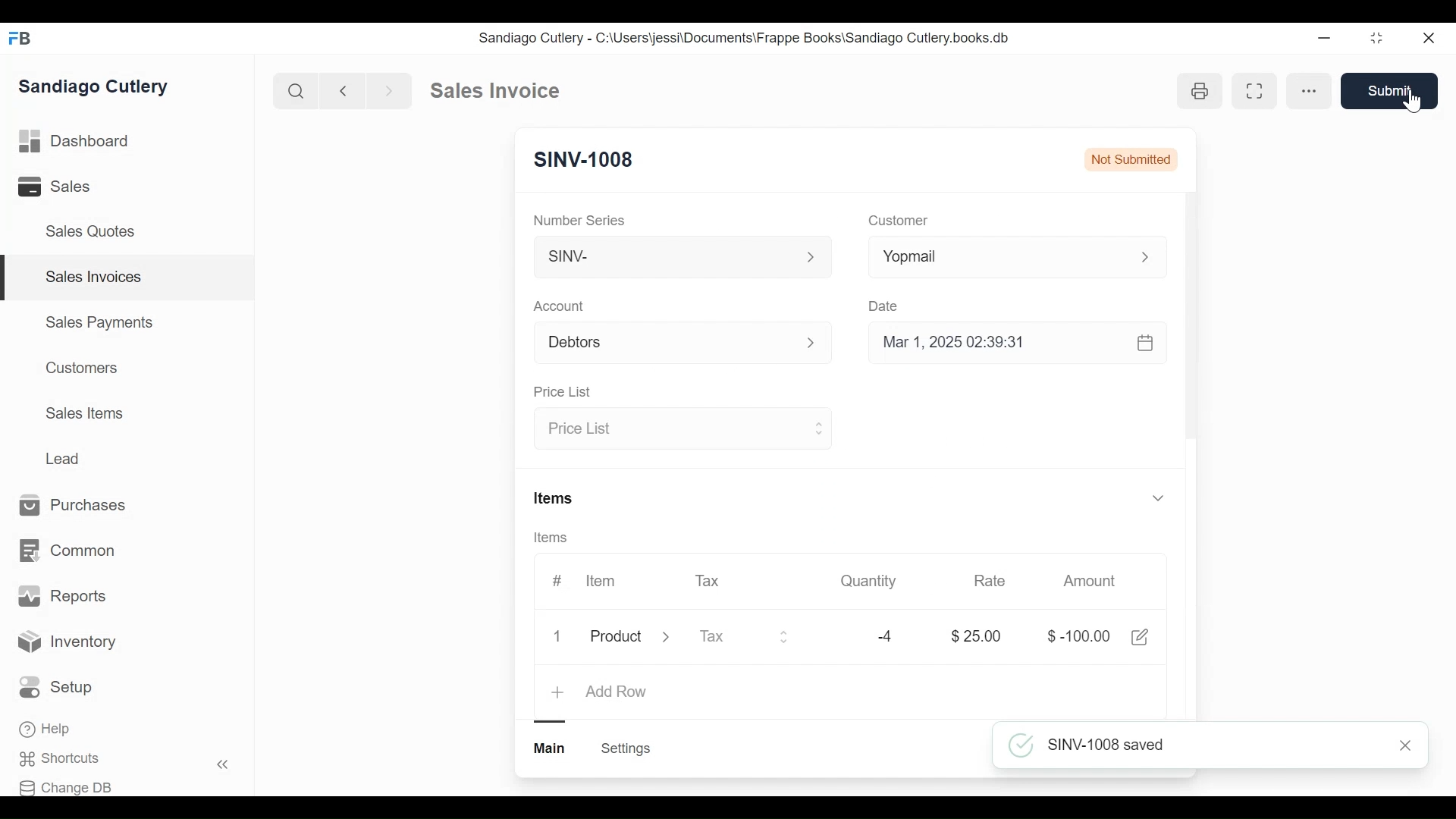 This screenshot has height=819, width=1456. What do you see at coordinates (224, 764) in the screenshot?
I see `Hide sidebar` at bounding box center [224, 764].